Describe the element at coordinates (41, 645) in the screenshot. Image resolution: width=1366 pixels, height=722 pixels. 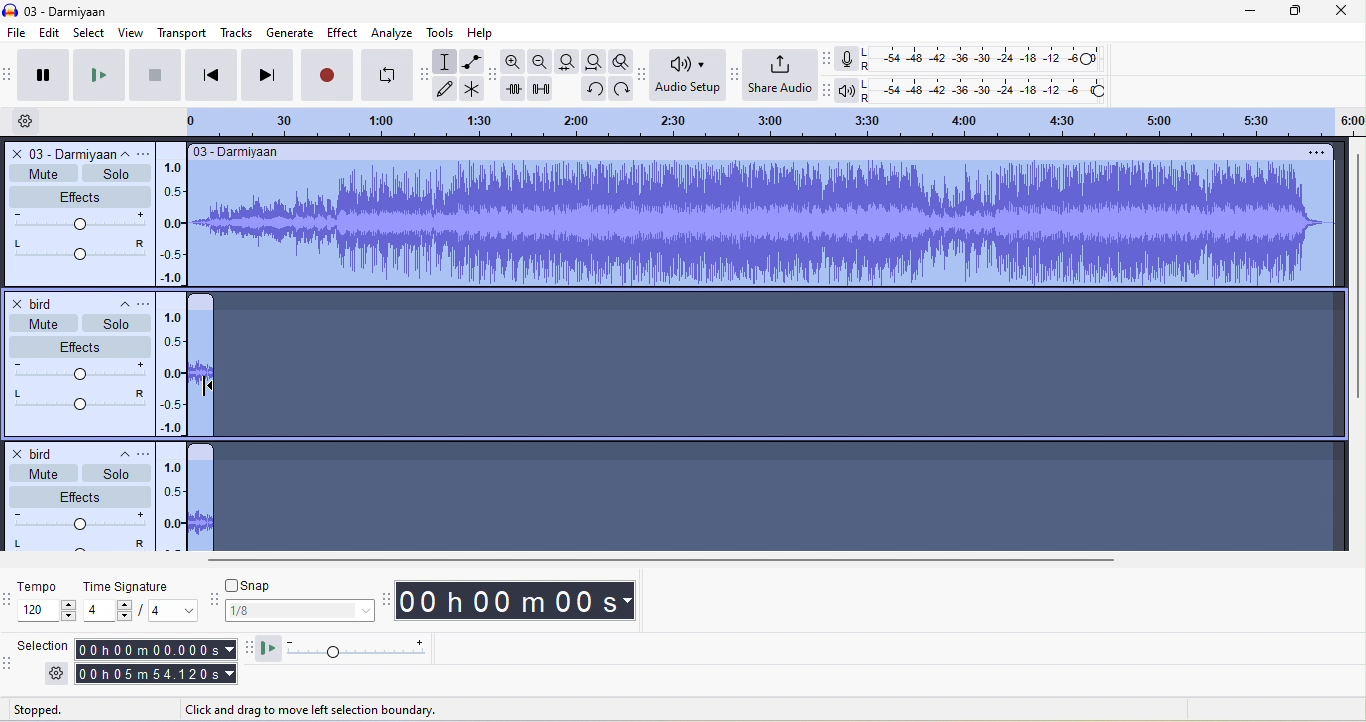
I see `selection` at that location.